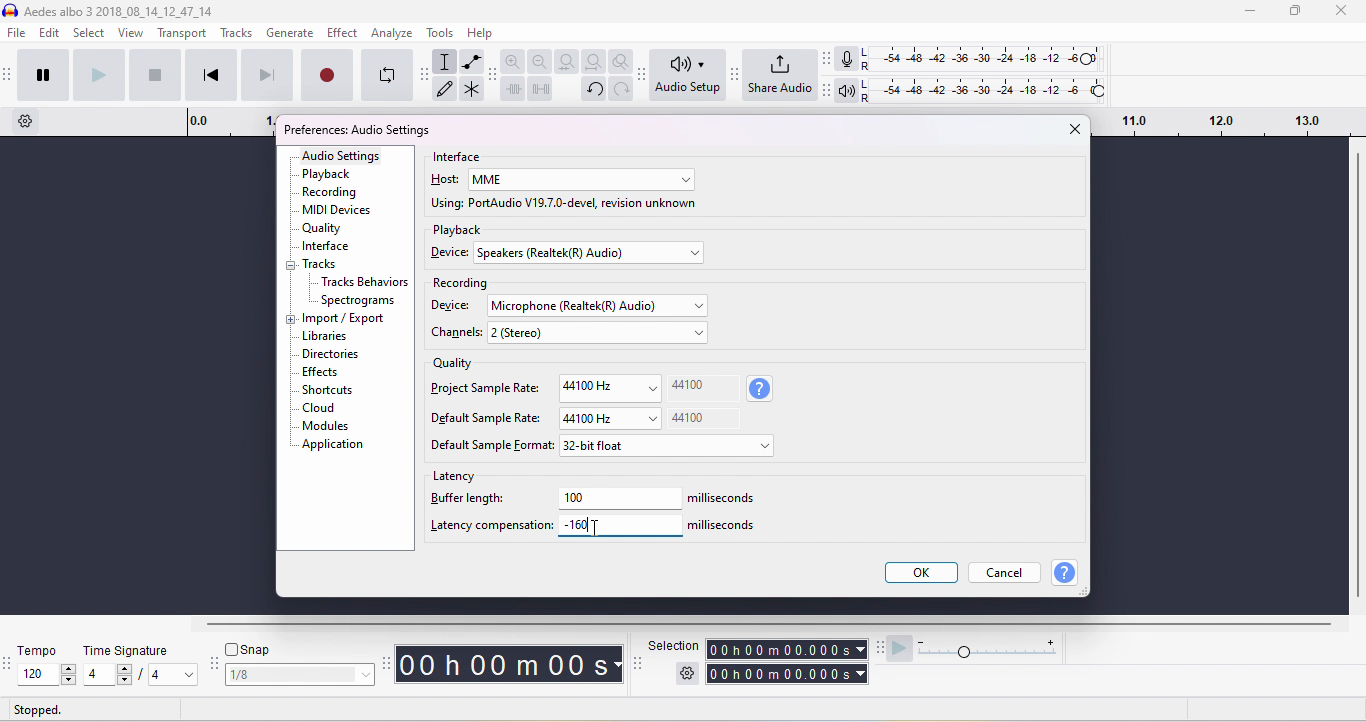 Image resolution: width=1366 pixels, height=722 pixels. Describe the element at coordinates (867, 52) in the screenshot. I see `L` at that location.